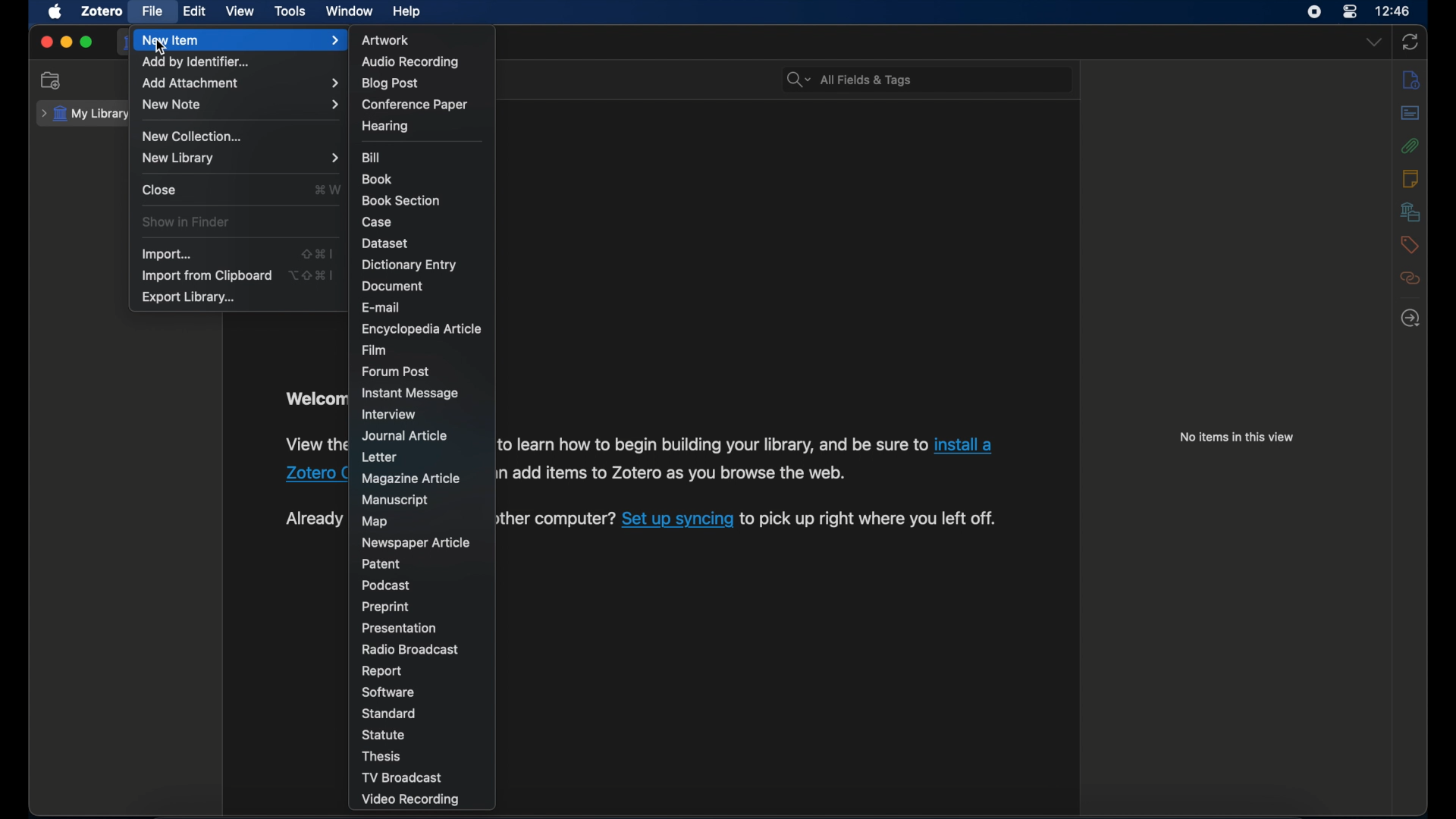 This screenshot has height=819, width=1456. Describe the element at coordinates (420, 329) in the screenshot. I see `encyclopedia article` at that location.